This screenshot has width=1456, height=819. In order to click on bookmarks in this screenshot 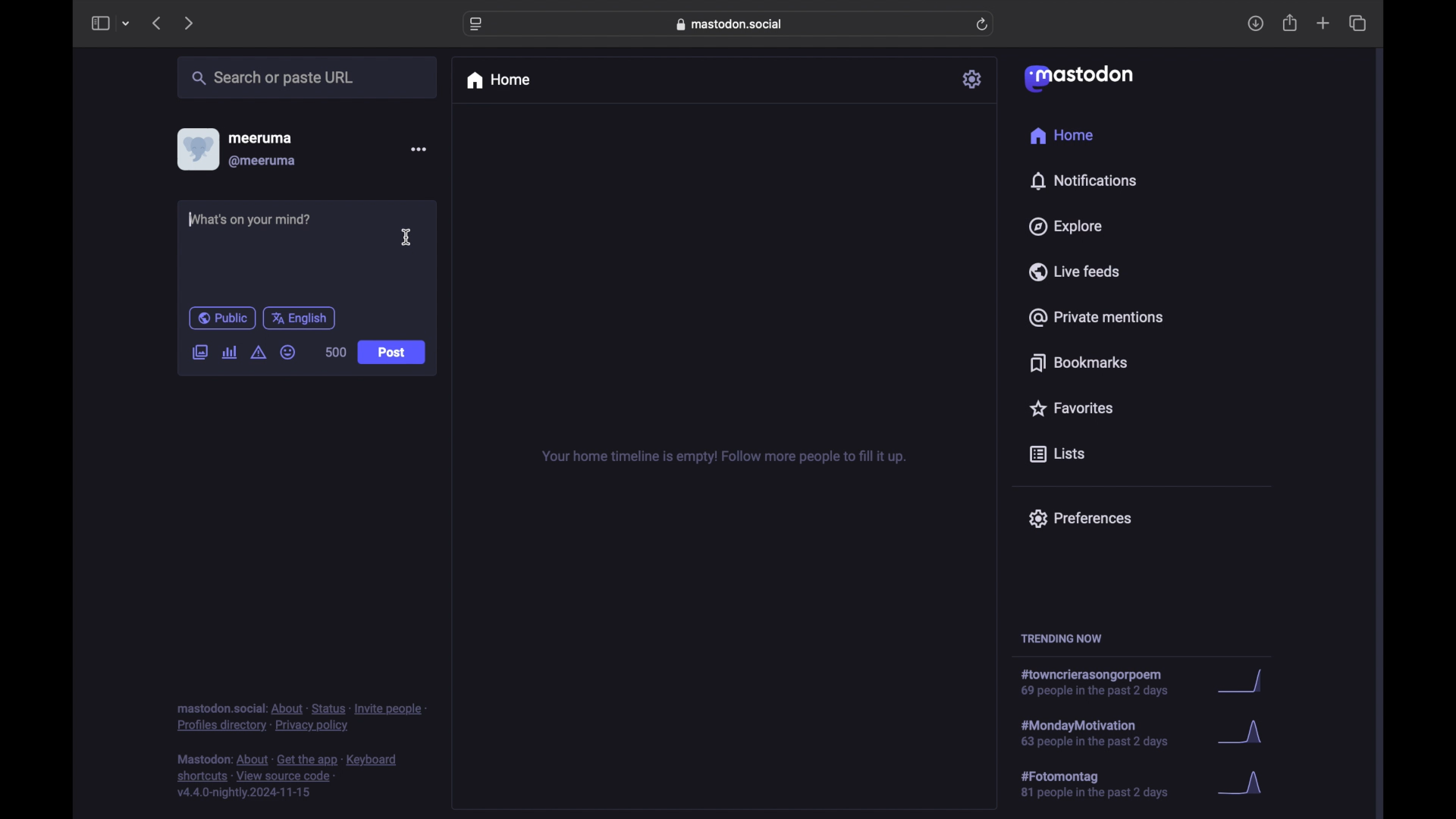, I will do `click(1078, 362)`.